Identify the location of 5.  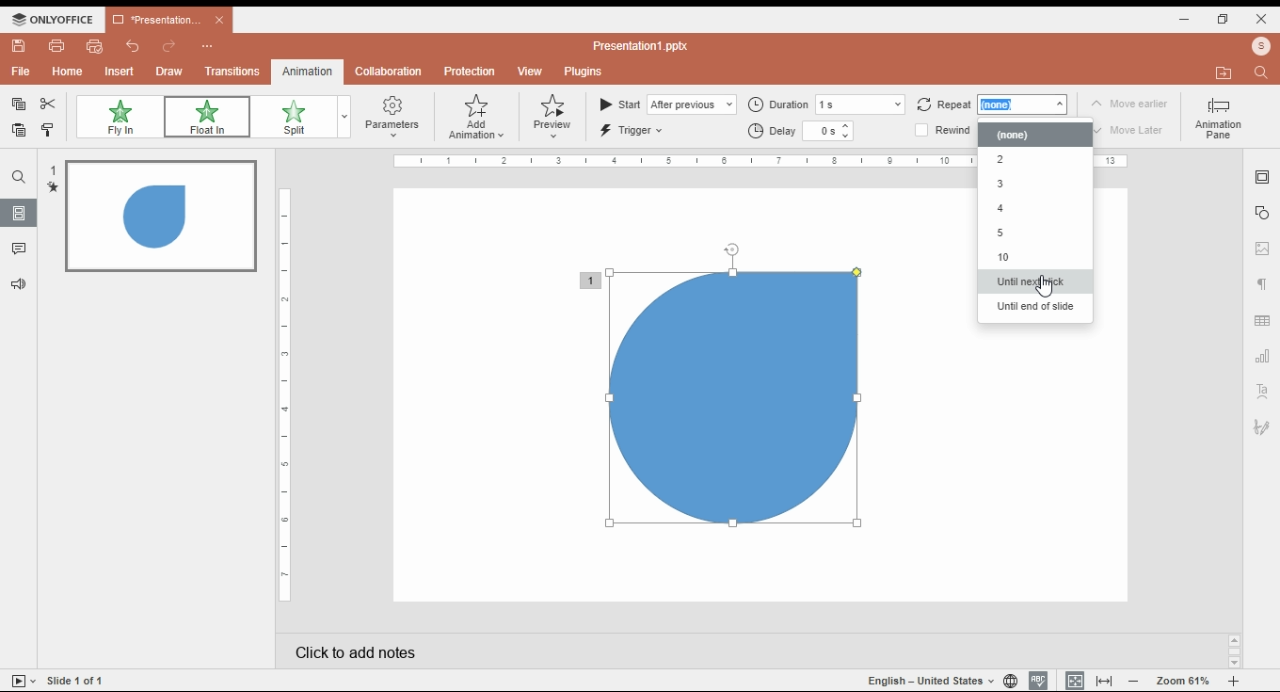
(1034, 232).